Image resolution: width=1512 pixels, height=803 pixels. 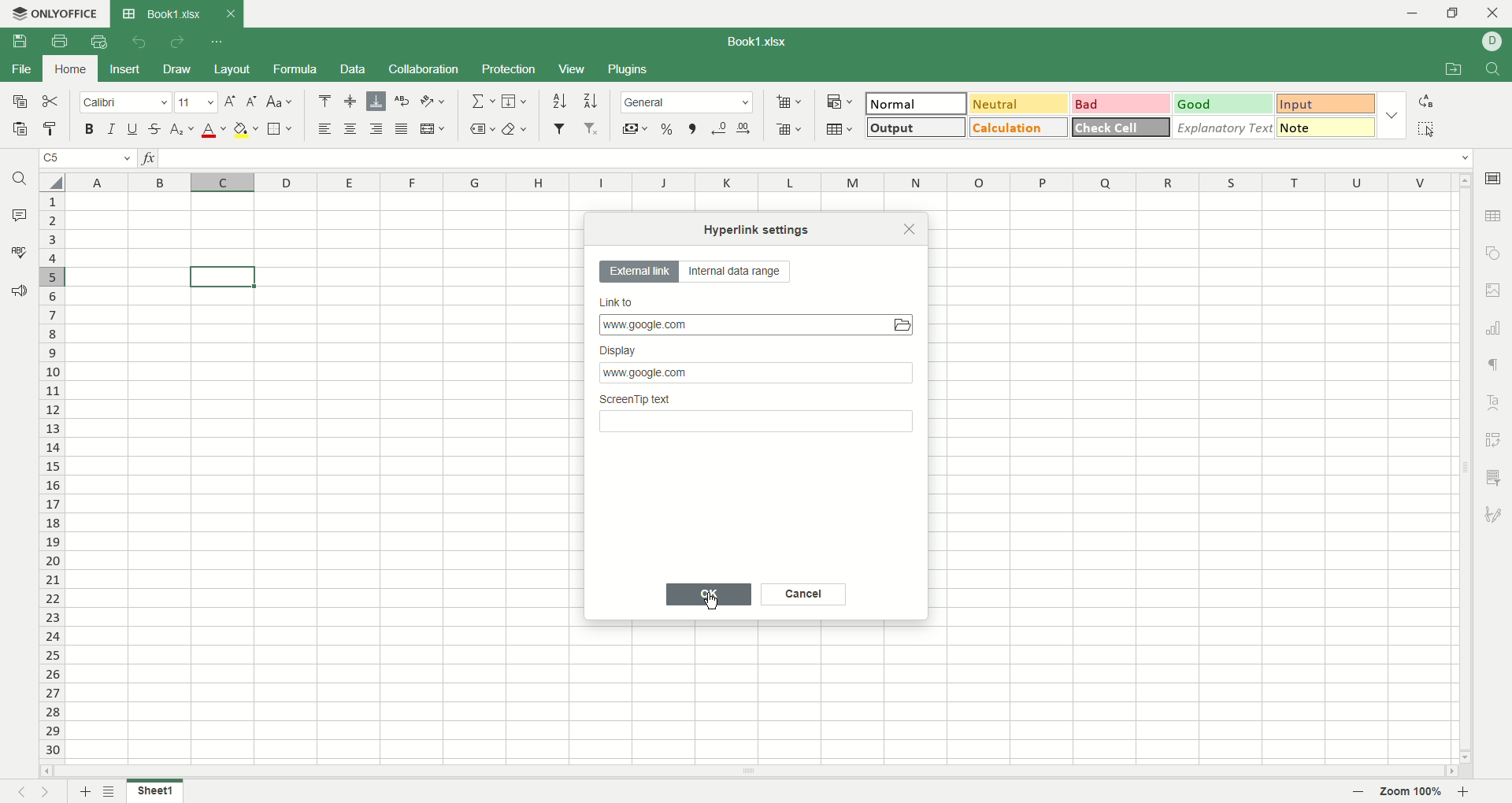 What do you see at coordinates (211, 131) in the screenshot?
I see `font color` at bounding box center [211, 131].